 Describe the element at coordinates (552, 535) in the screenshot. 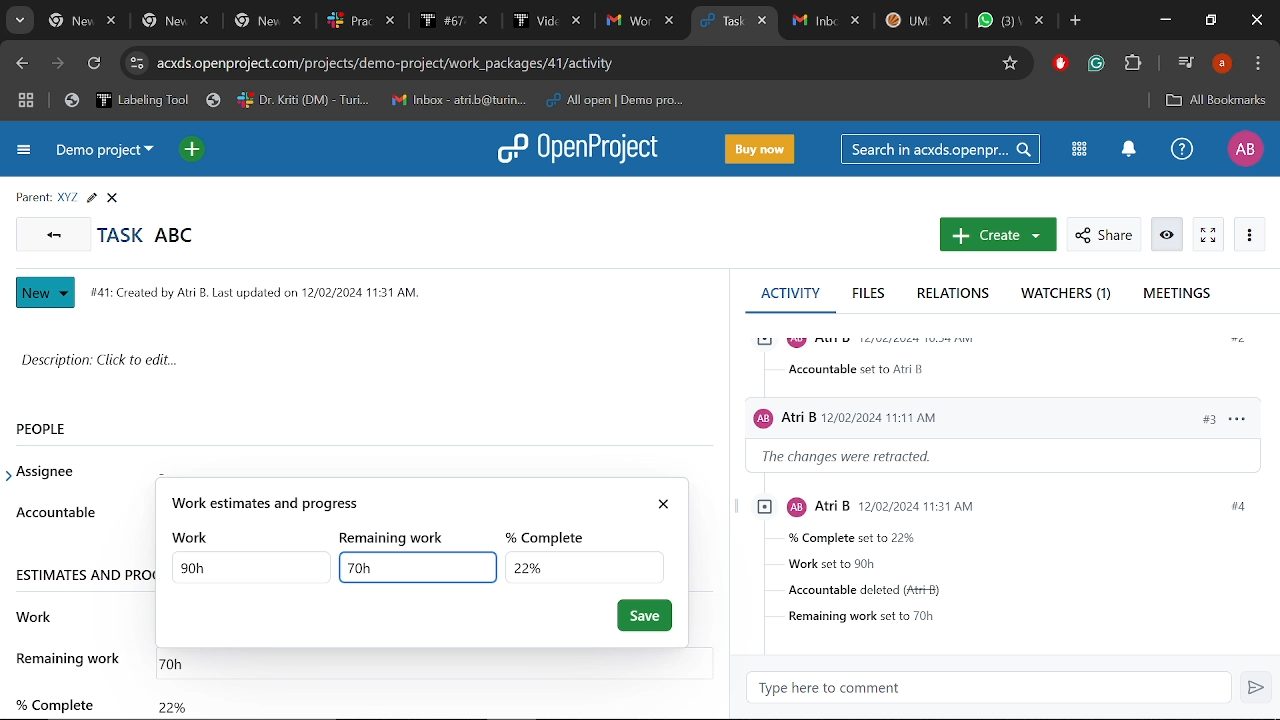

I see `% complete` at that location.